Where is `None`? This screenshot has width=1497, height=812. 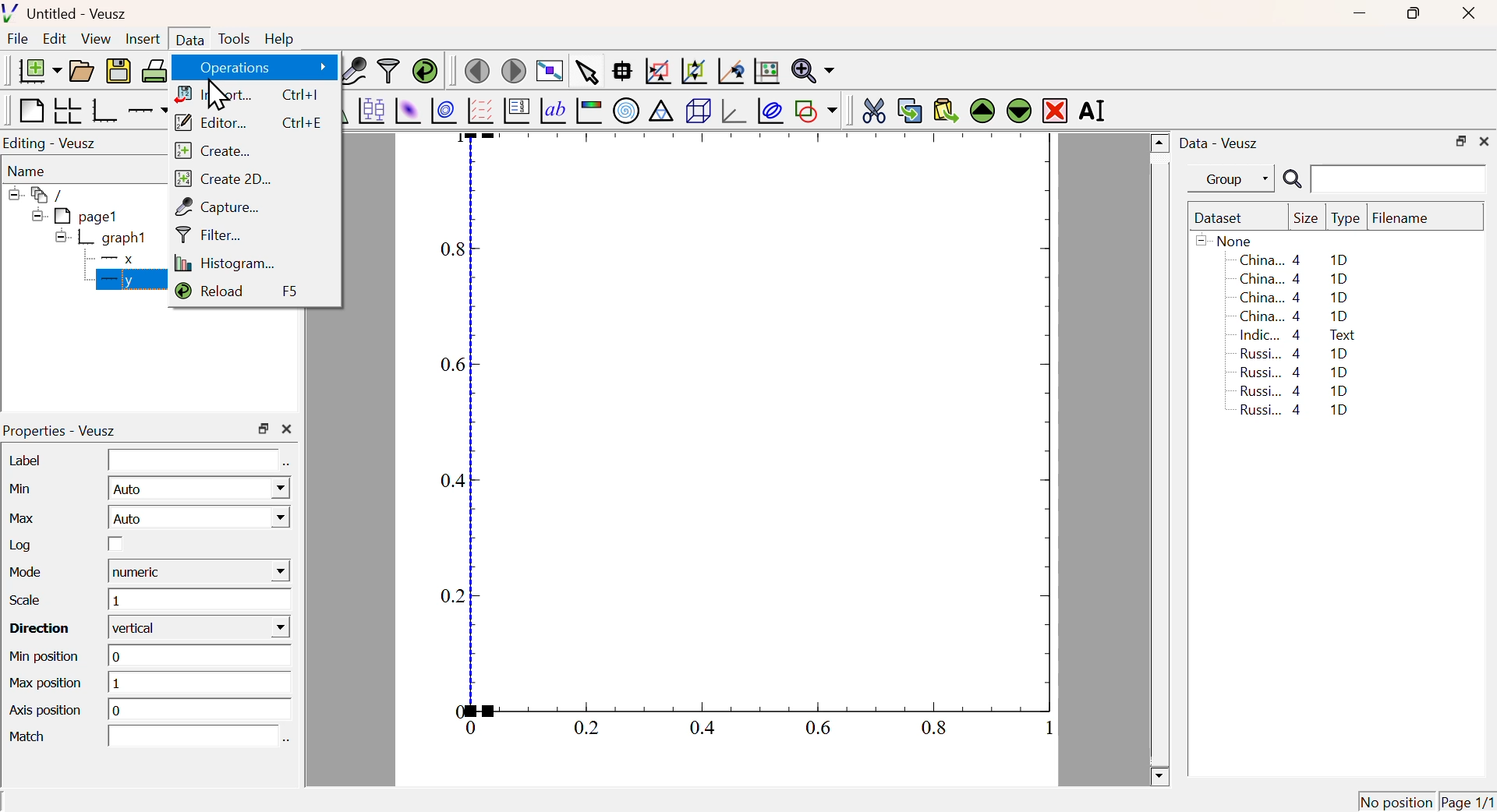 None is located at coordinates (1226, 240).